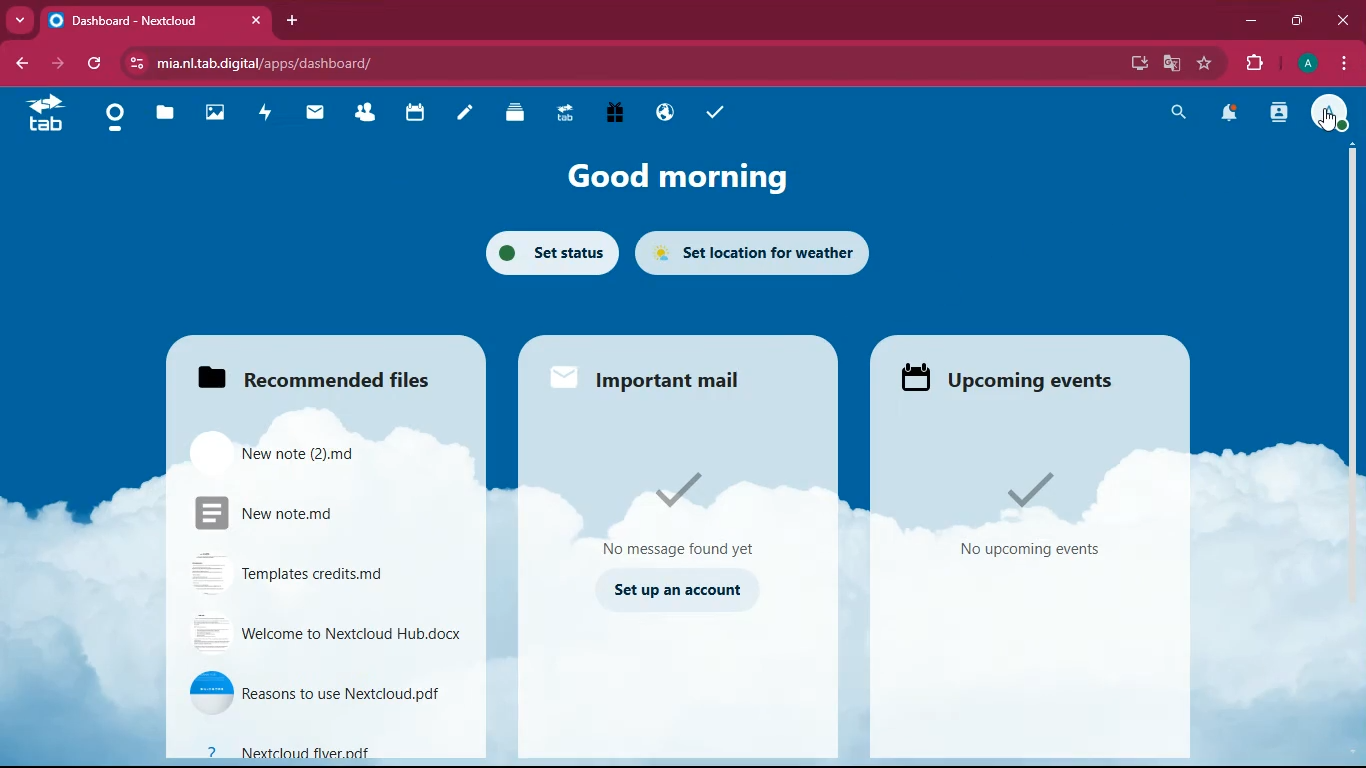 This screenshot has width=1366, height=768. What do you see at coordinates (522, 116) in the screenshot?
I see `layers` at bounding box center [522, 116].